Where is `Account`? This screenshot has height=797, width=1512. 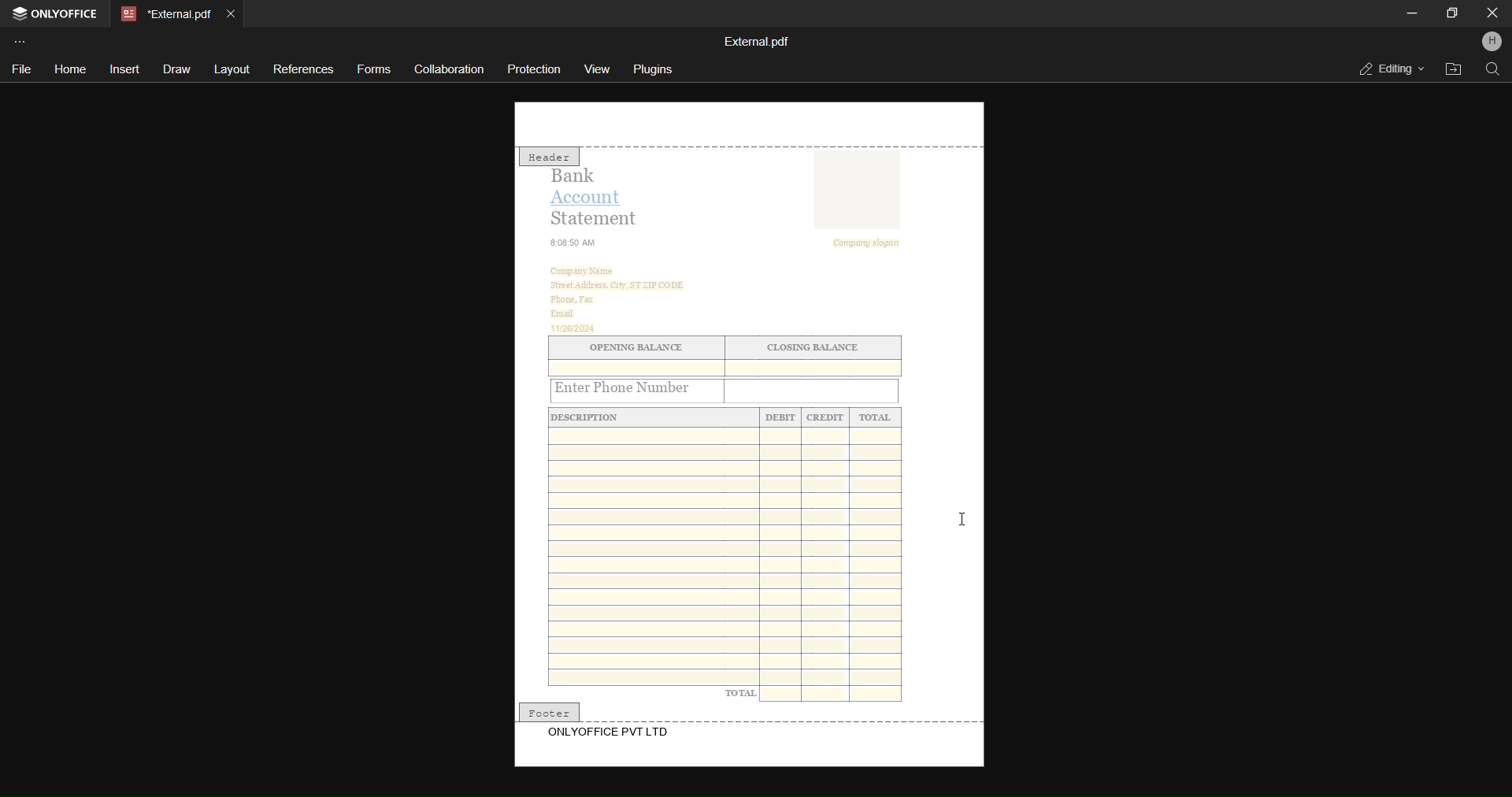 Account is located at coordinates (592, 196).